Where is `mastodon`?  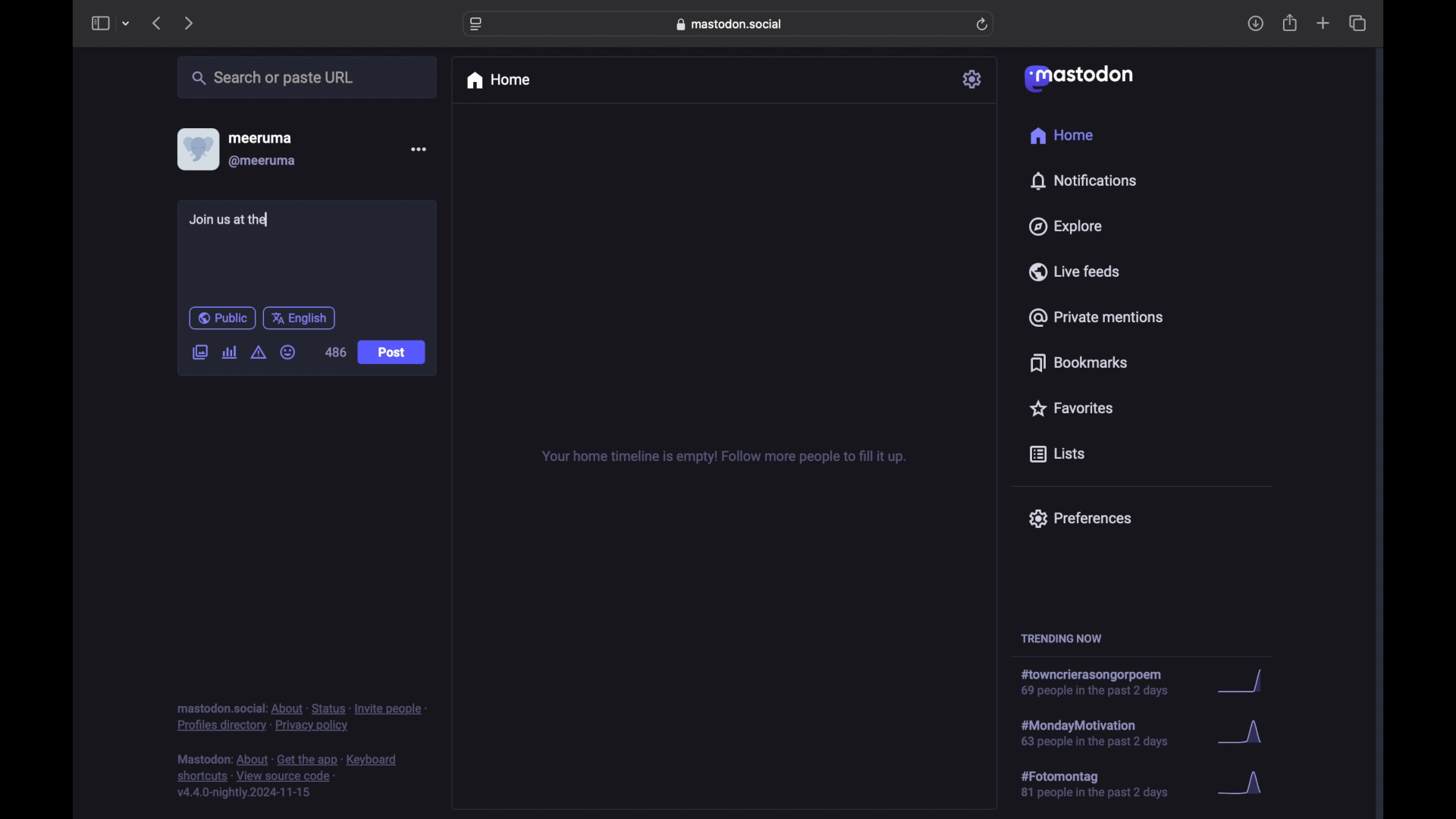
mastodon is located at coordinates (1077, 77).